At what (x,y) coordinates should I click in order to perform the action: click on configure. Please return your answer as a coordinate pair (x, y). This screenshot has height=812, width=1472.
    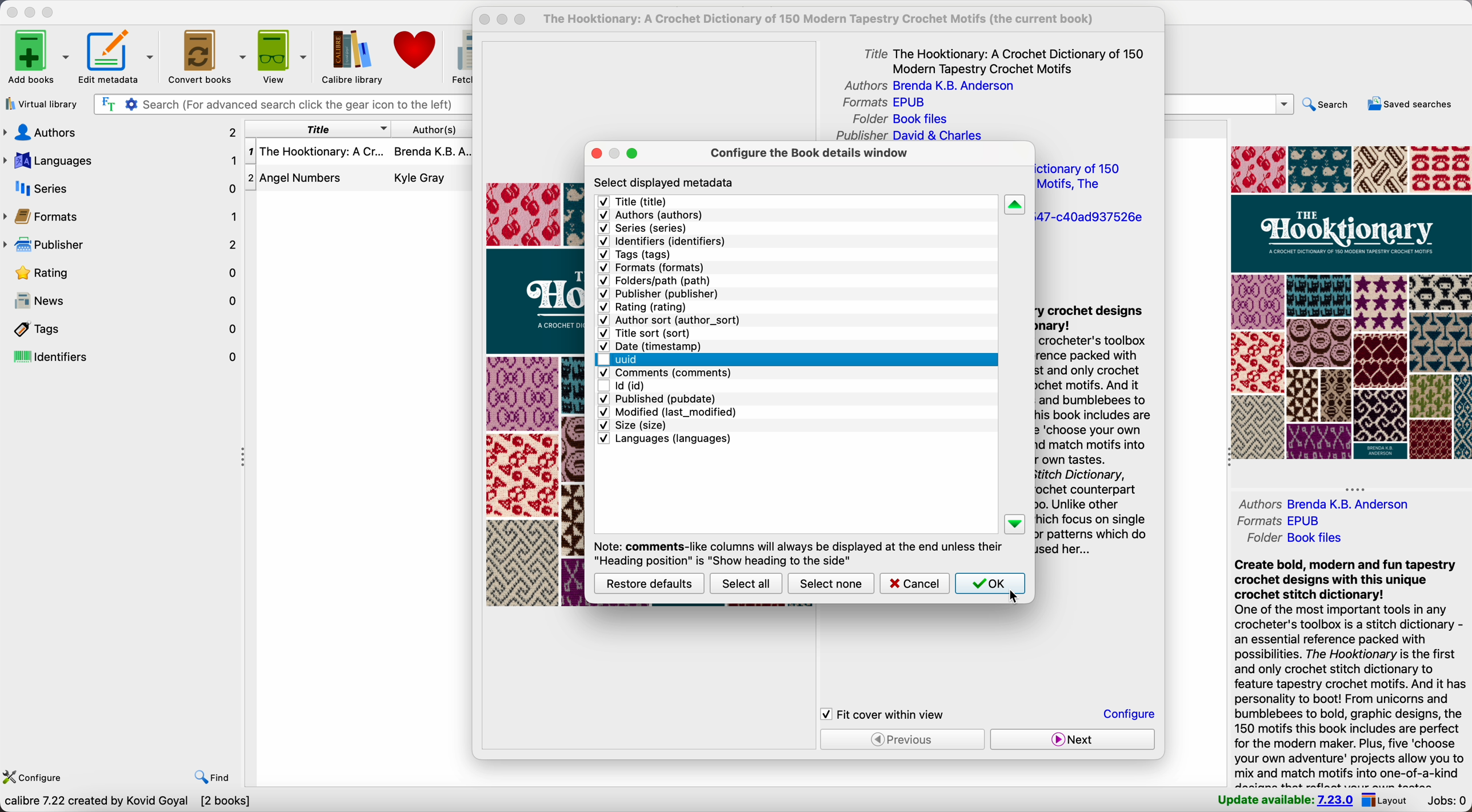
    Looking at the image, I should click on (32, 778).